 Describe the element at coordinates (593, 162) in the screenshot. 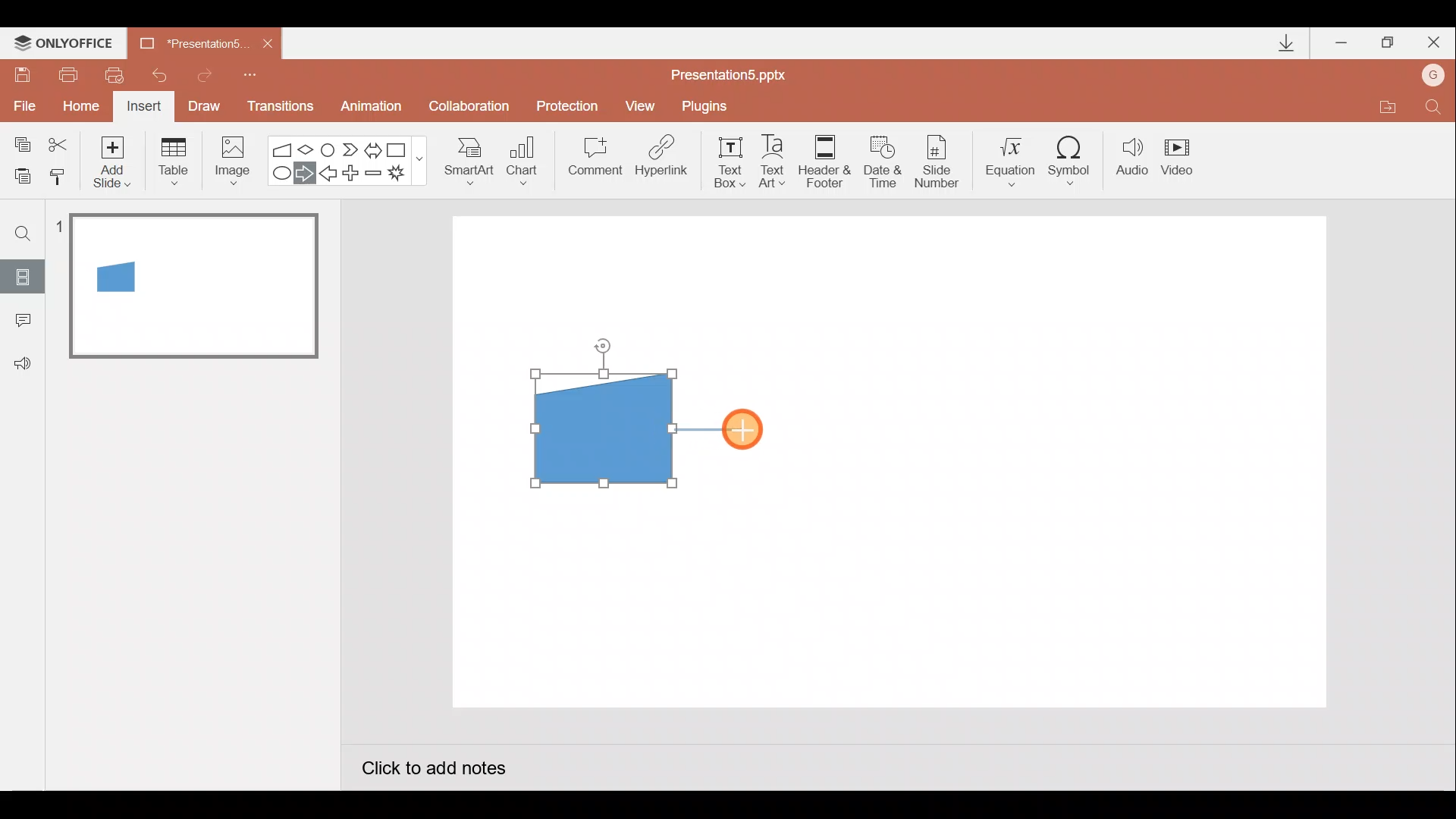

I see `Comment` at that location.